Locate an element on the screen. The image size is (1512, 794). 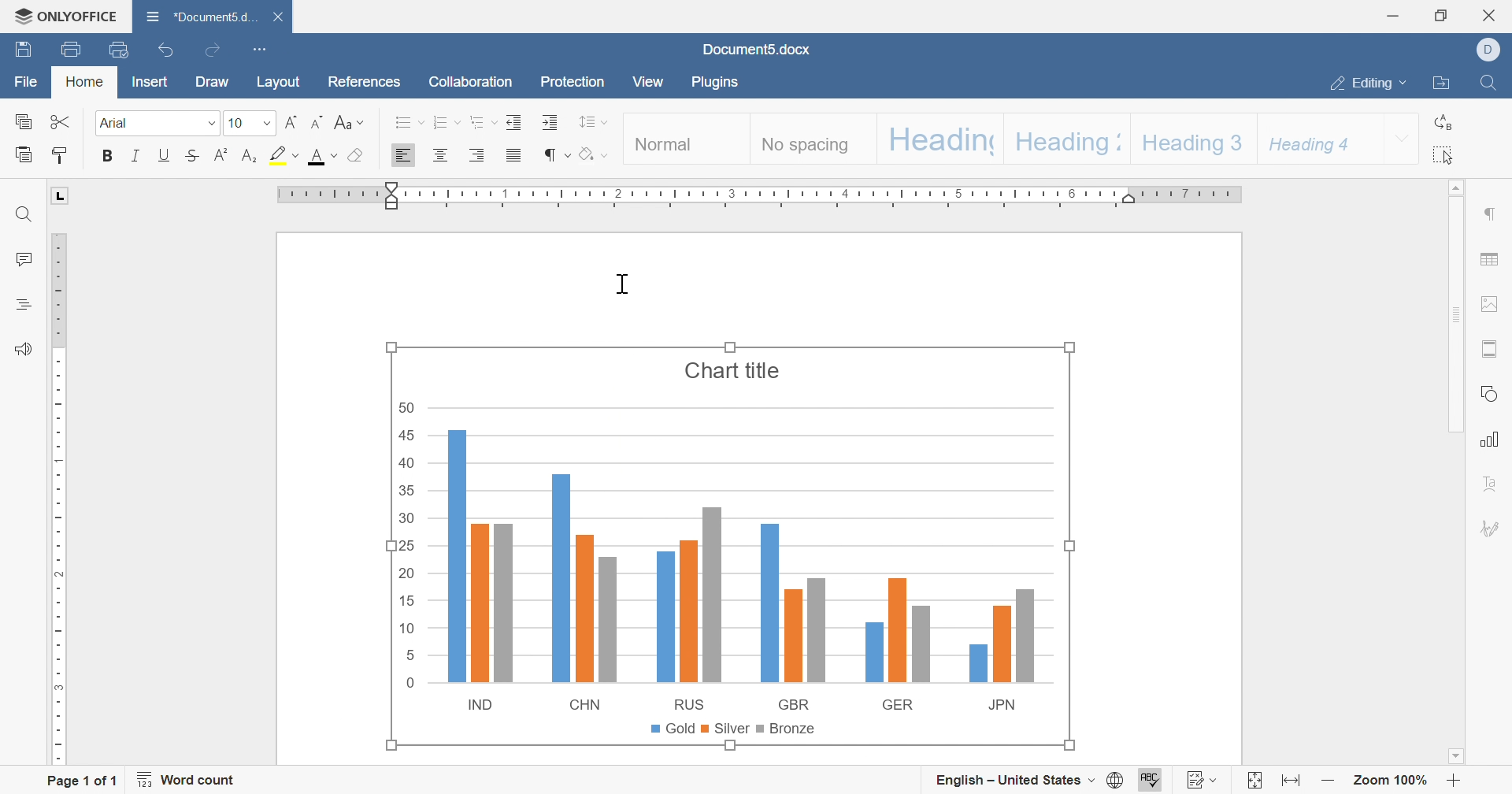
shape settings is located at coordinates (1489, 394).